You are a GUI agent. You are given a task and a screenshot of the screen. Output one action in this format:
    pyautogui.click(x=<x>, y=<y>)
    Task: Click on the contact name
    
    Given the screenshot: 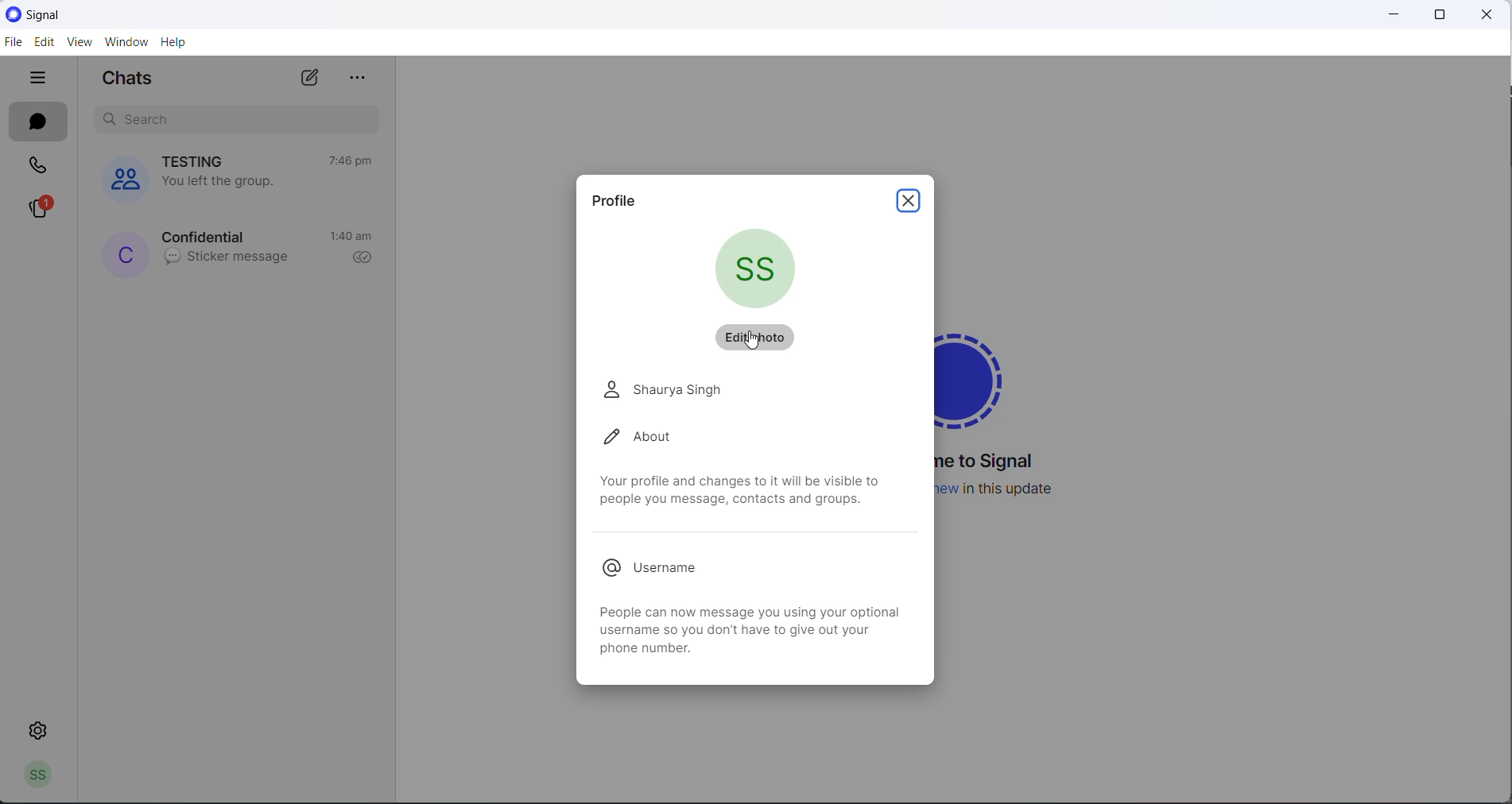 What is the action you would take?
    pyautogui.click(x=207, y=234)
    